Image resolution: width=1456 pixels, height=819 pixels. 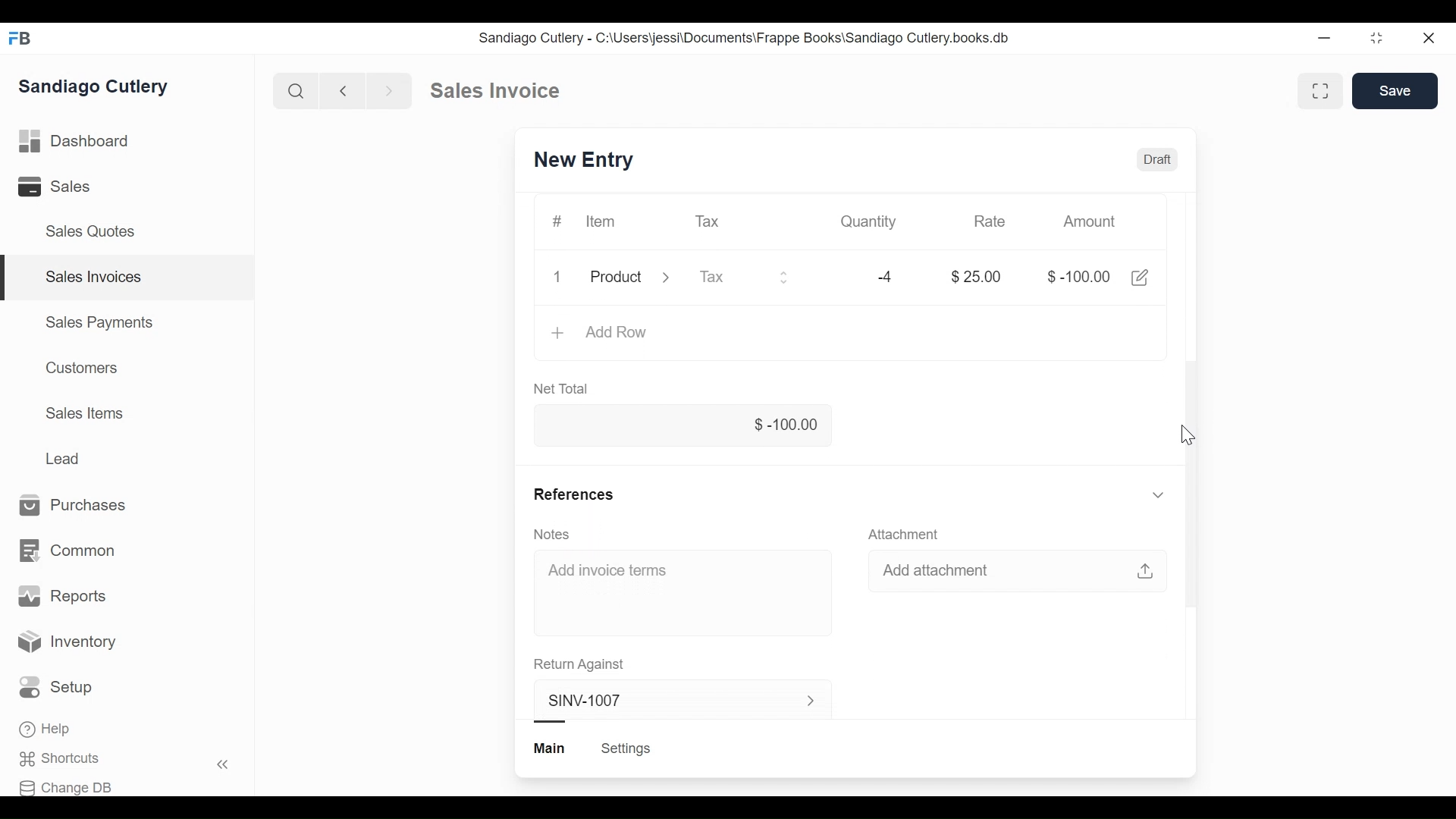 What do you see at coordinates (1139, 278) in the screenshot?
I see `Edit` at bounding box center [1139, 278].